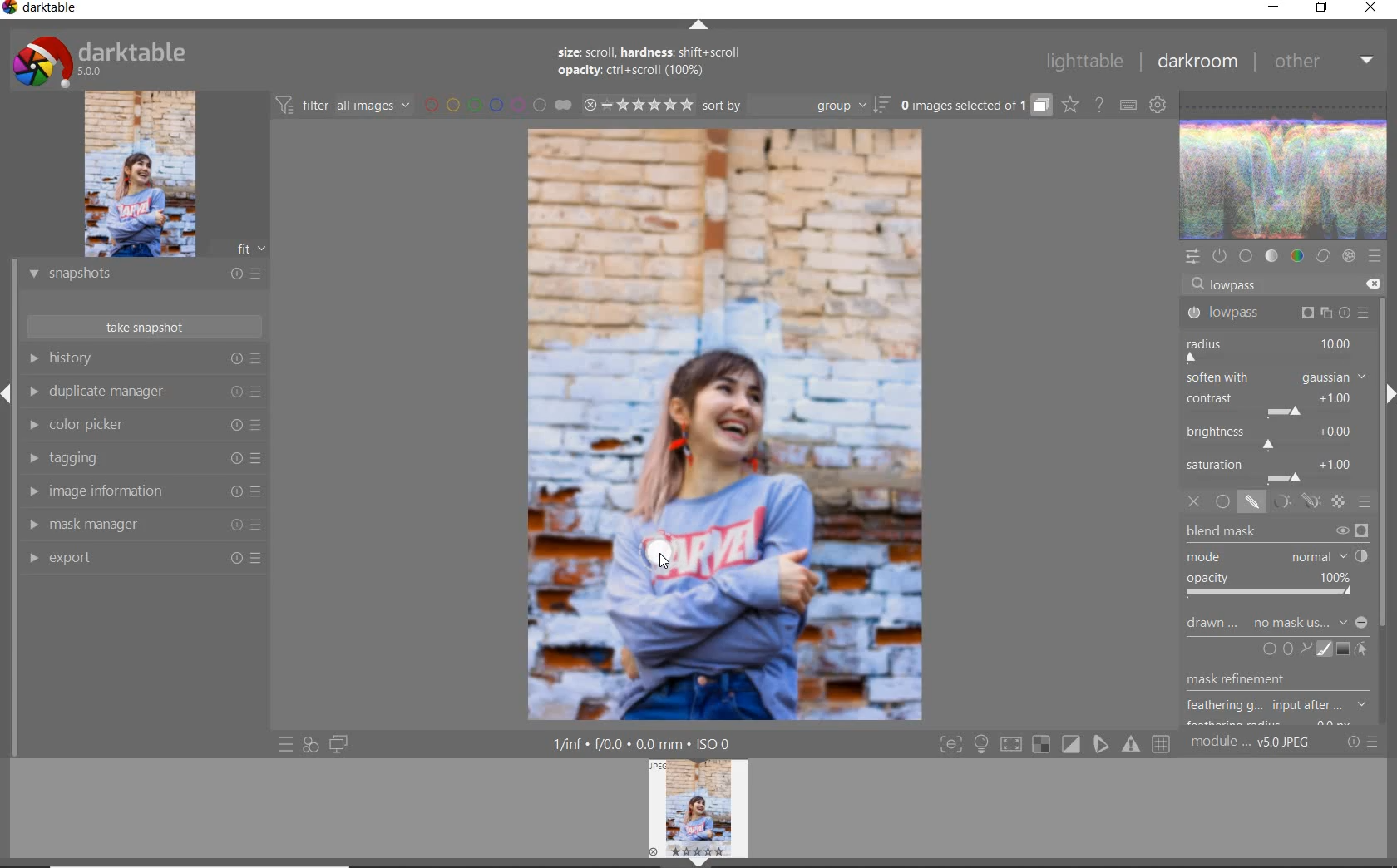 This screenshot has height=868, width=1397. I want to click on lowpass, so click(1276, 313).